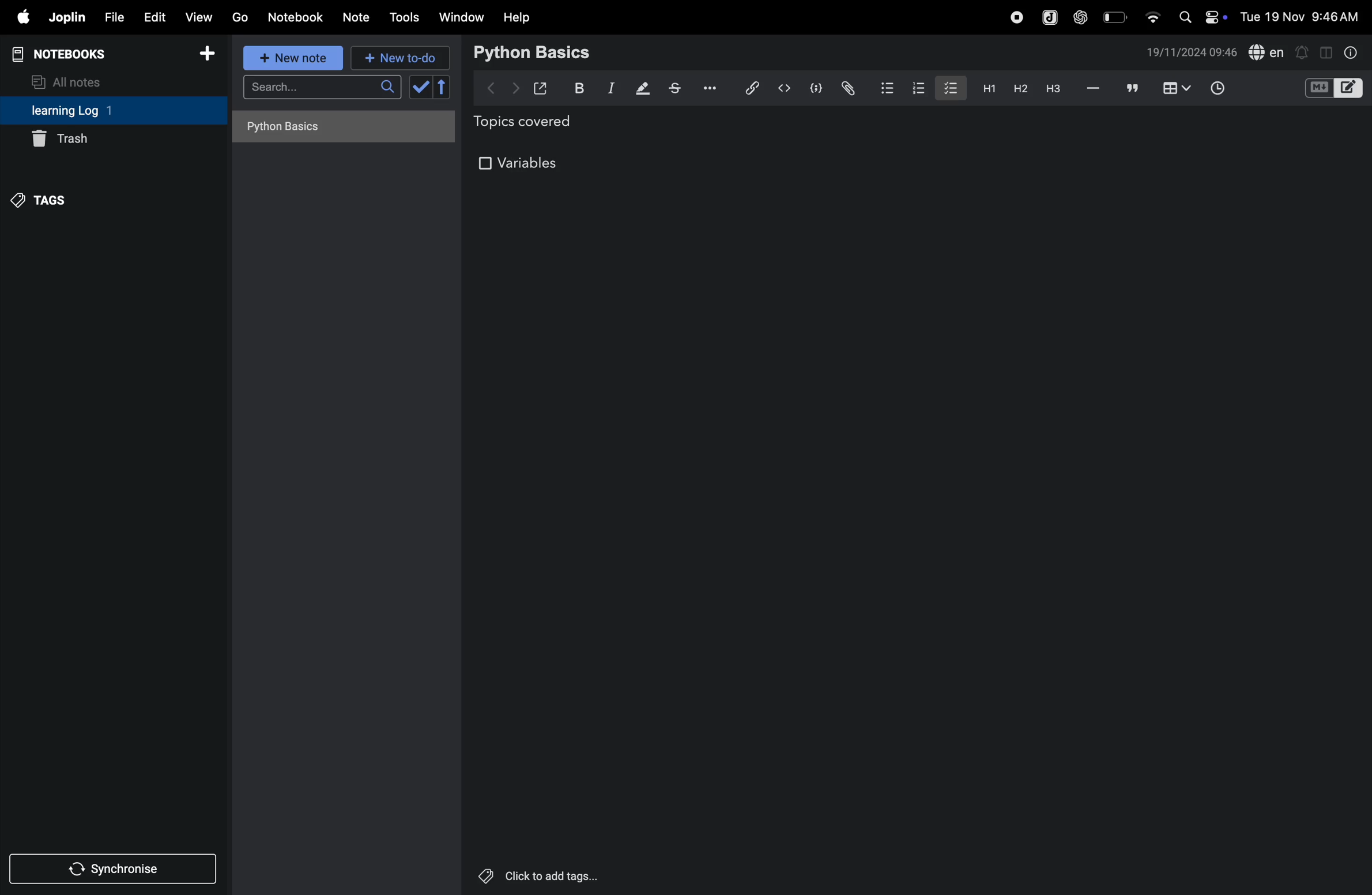 This screenshot has height=895, width=1372. I want to click on itallic, so click(609, 89).